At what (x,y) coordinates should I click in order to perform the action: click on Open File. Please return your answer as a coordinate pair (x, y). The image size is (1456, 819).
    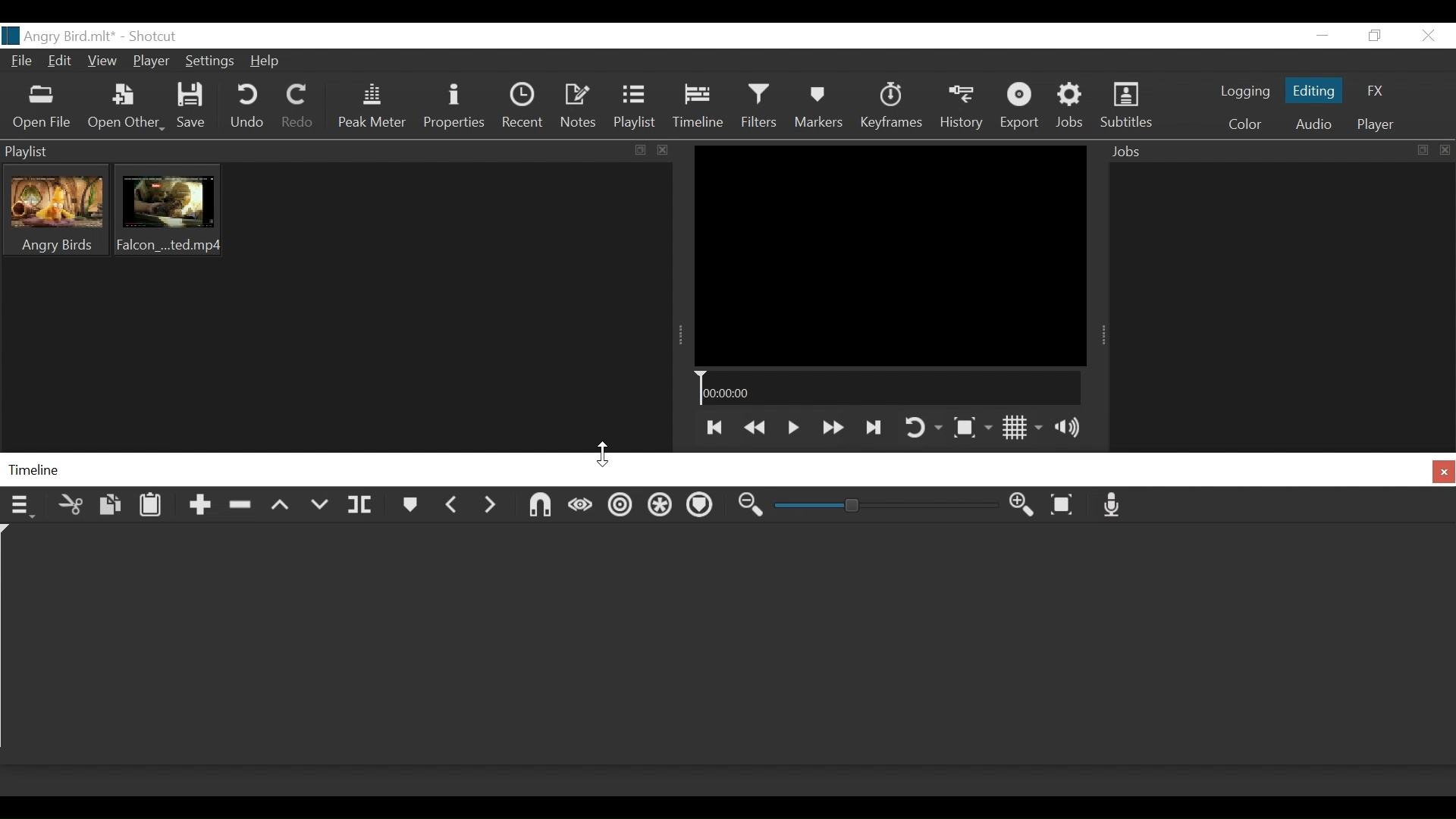
    Looking at the image, I should click on (42, 109).